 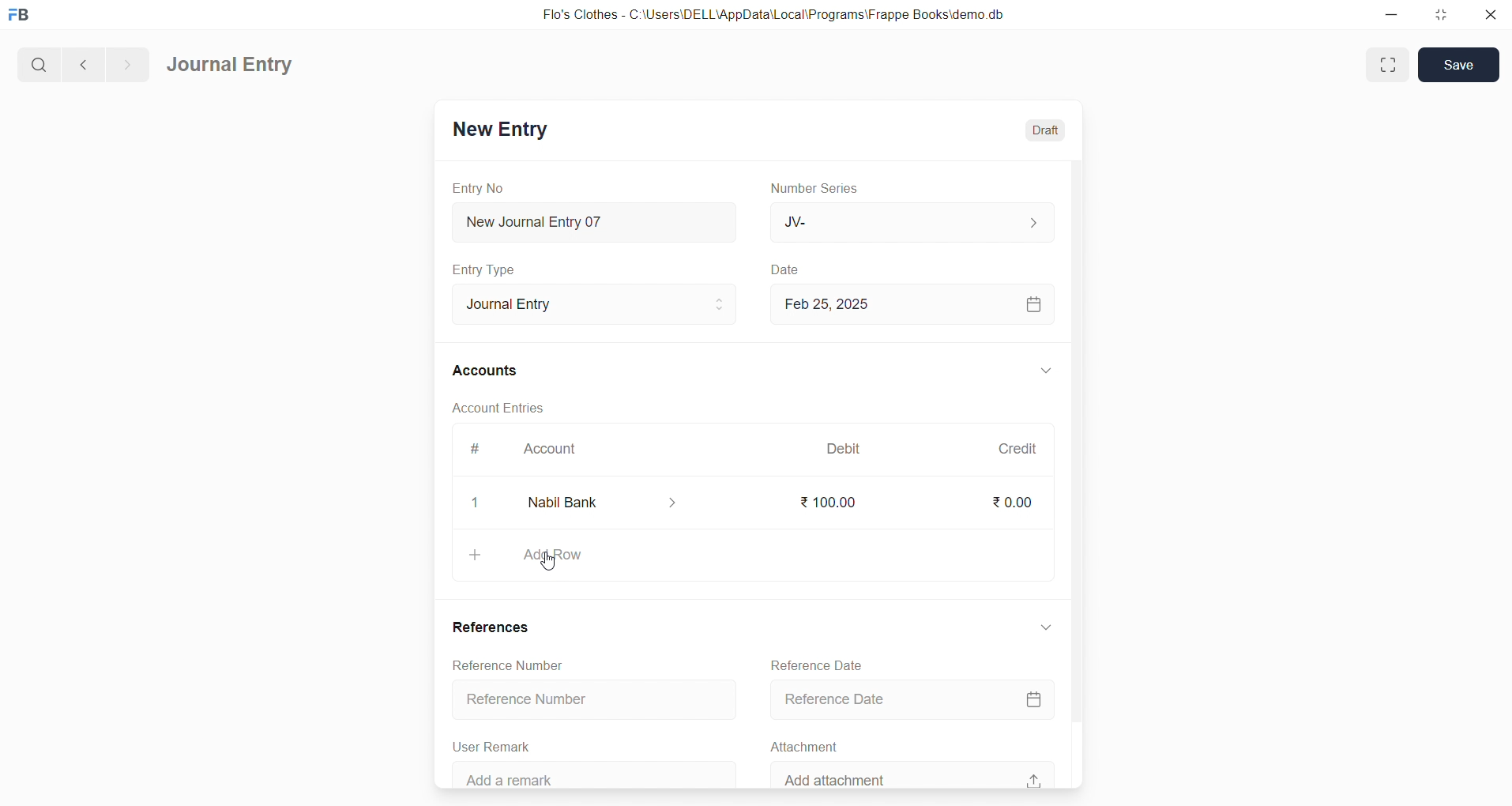 What do you see at coordinates (914, 304) in the screenshot?
I see `Feb 25, 2025` at bounding box center [914, 304].